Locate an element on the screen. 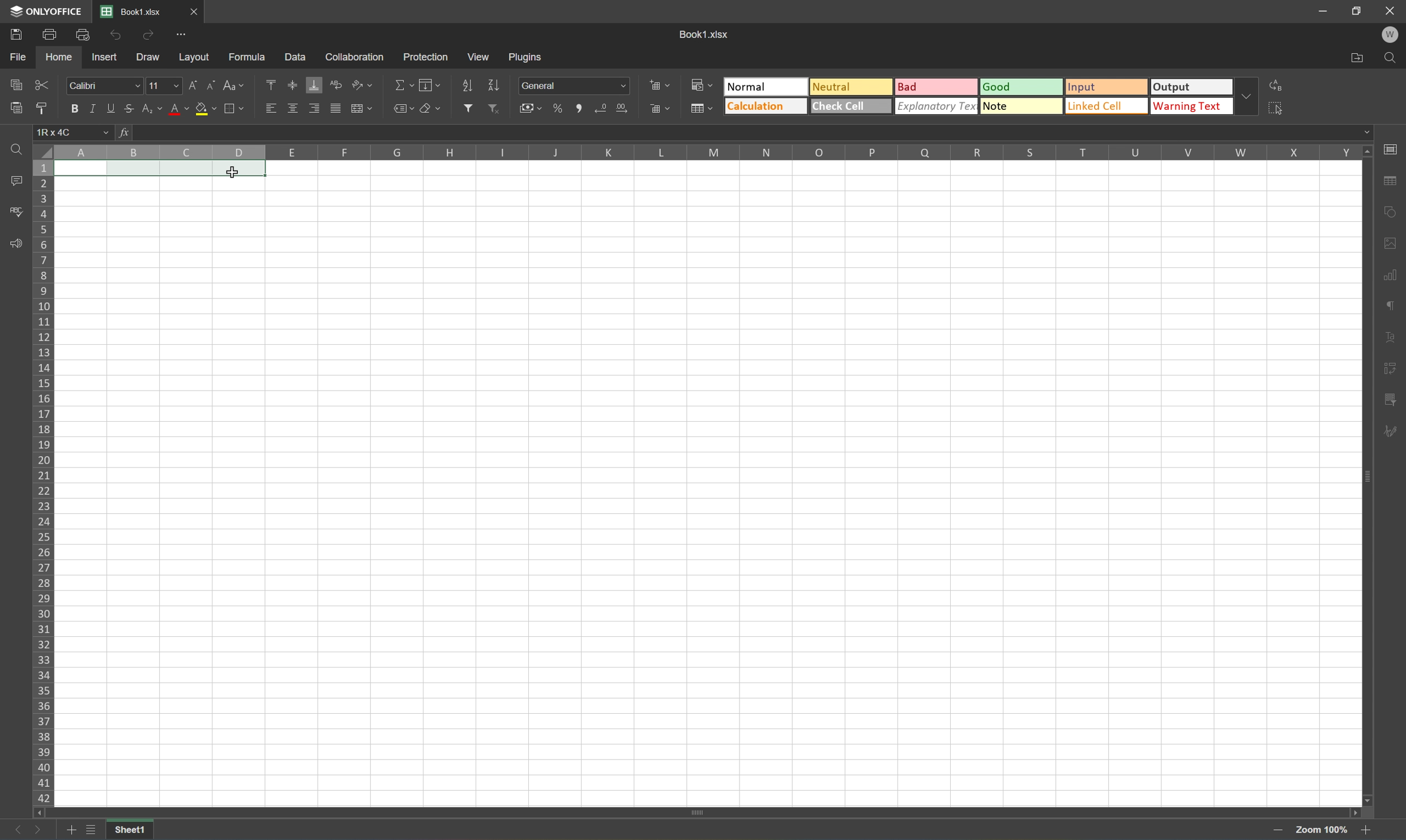 This screenshot has height=840, width=1406. find is located at coordinates (15, 151).